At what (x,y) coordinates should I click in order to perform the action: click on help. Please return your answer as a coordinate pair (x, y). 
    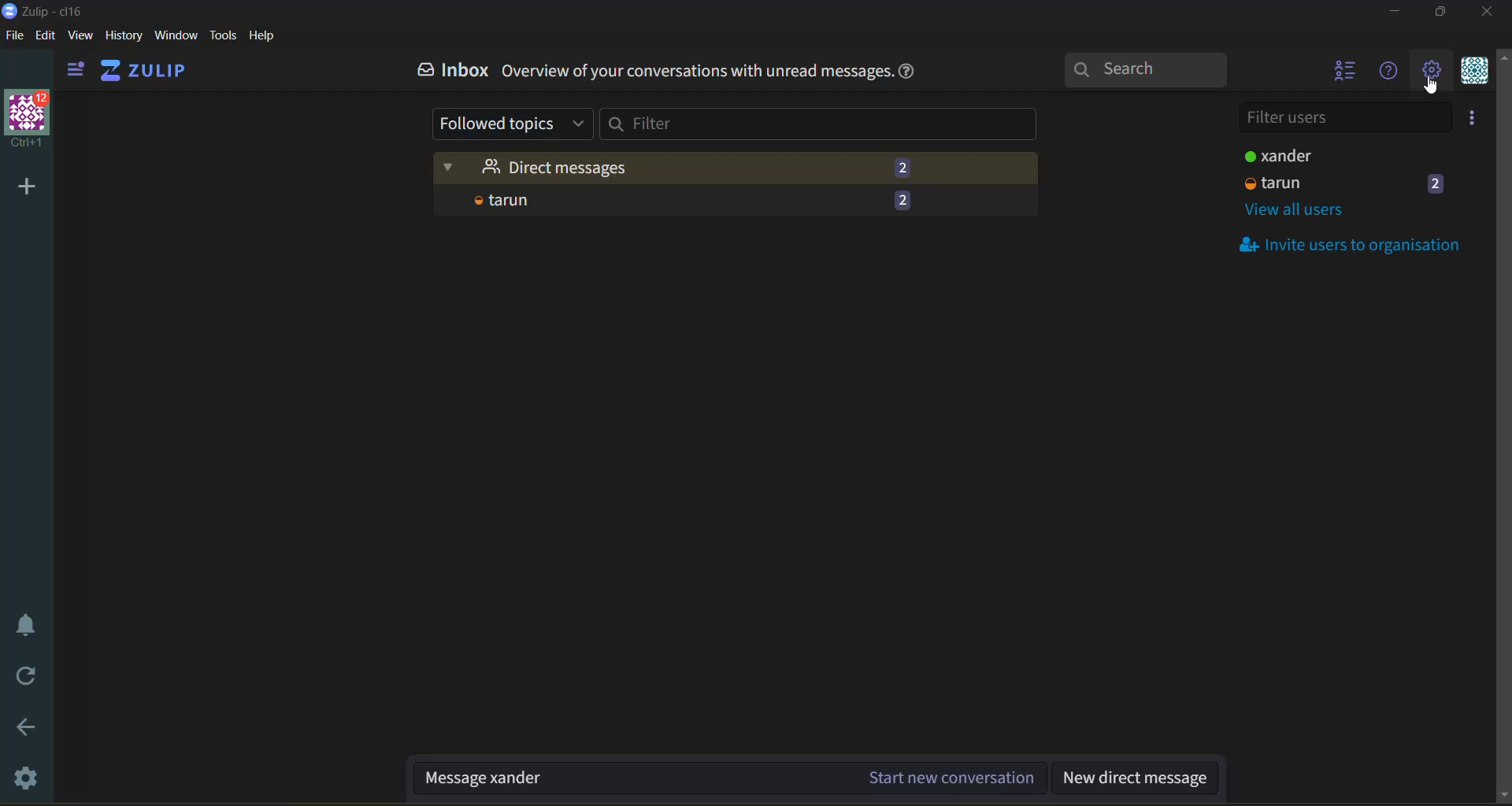
    Looking at the image, I should click on (910, 72).